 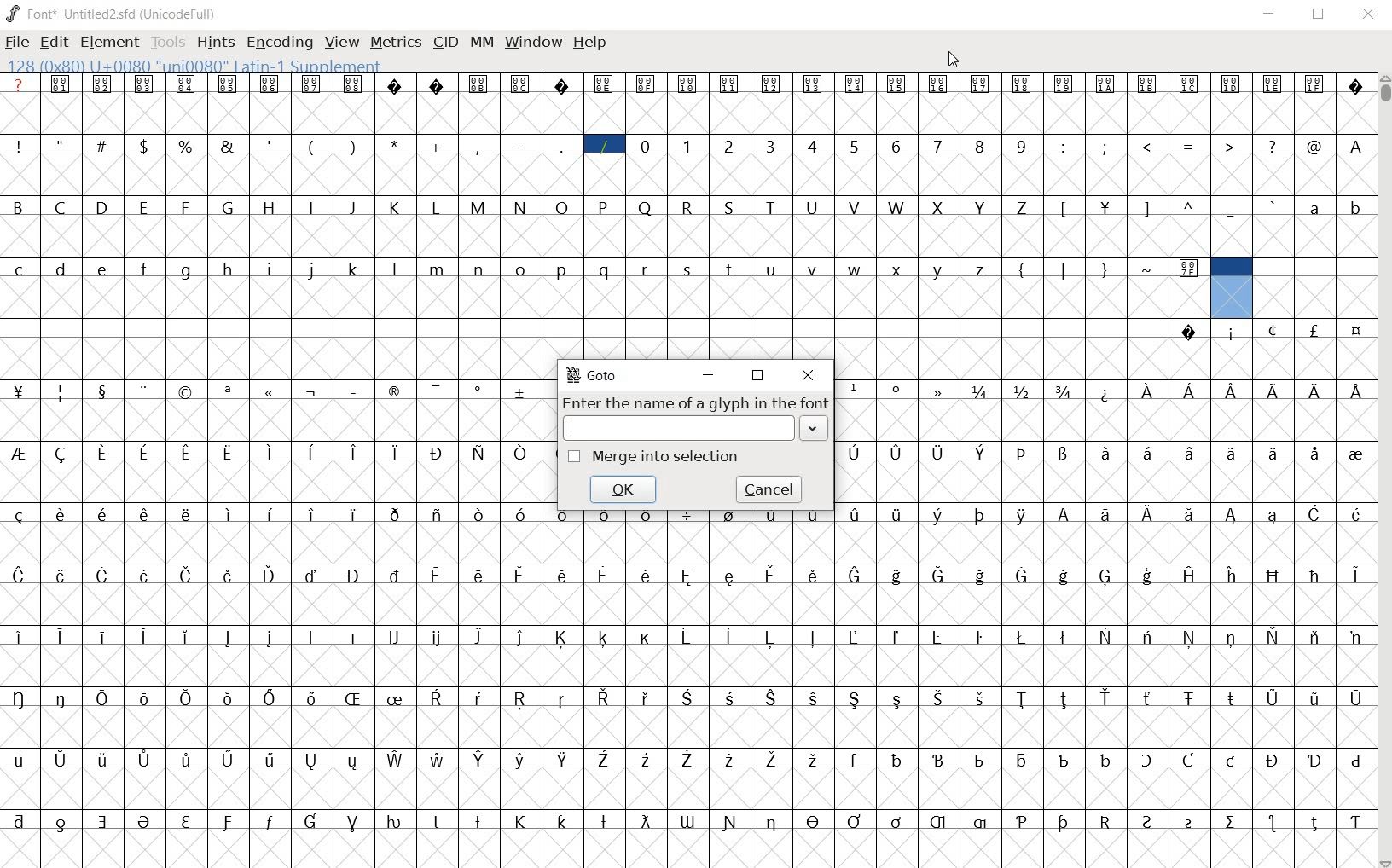 What do you see at coordinates (105, 759) in the screenshot?
I see `Symbol` at bounding box center [105, 759].